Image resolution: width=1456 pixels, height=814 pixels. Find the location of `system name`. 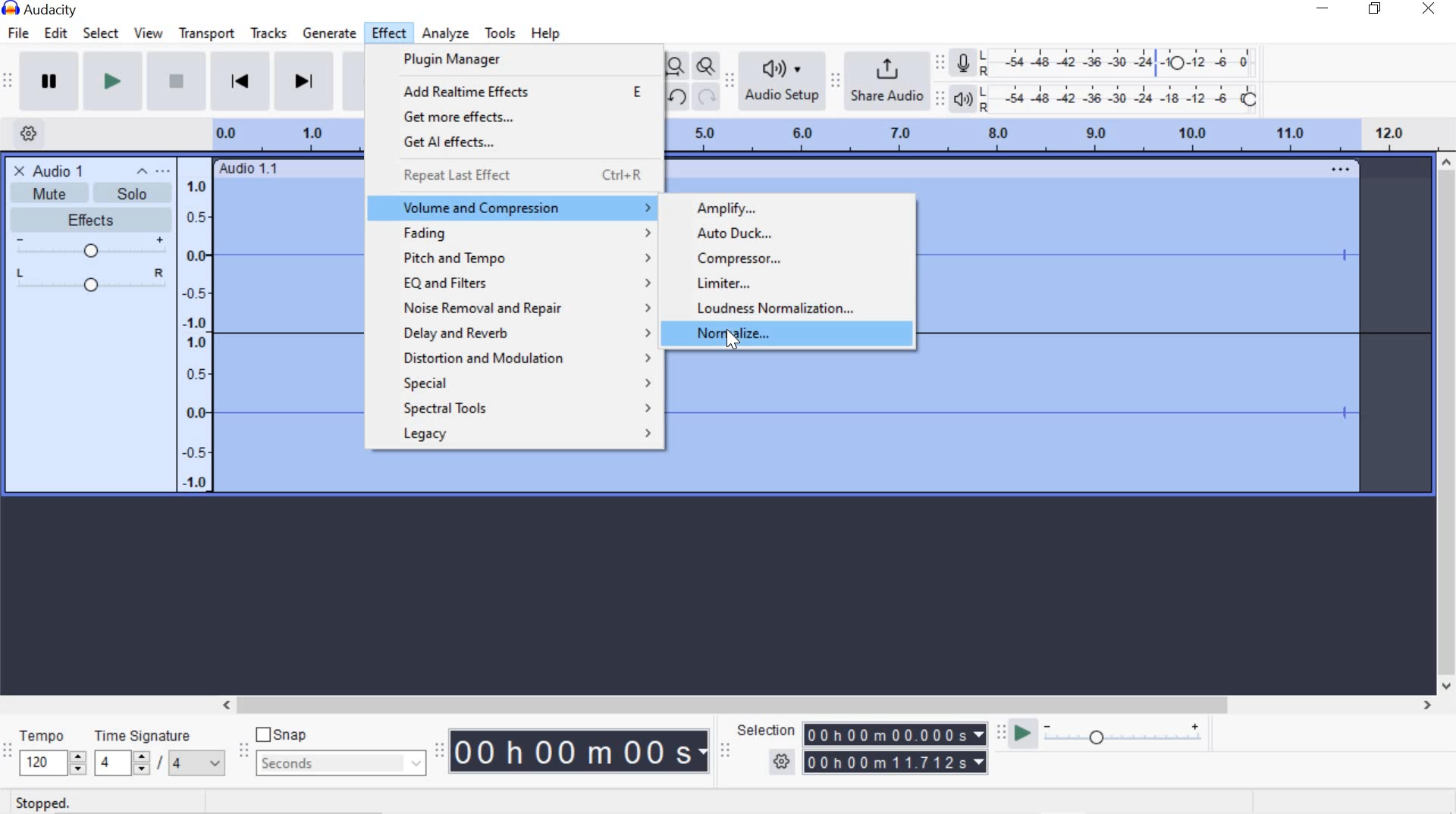

system name is located at coordinates (39, 10).